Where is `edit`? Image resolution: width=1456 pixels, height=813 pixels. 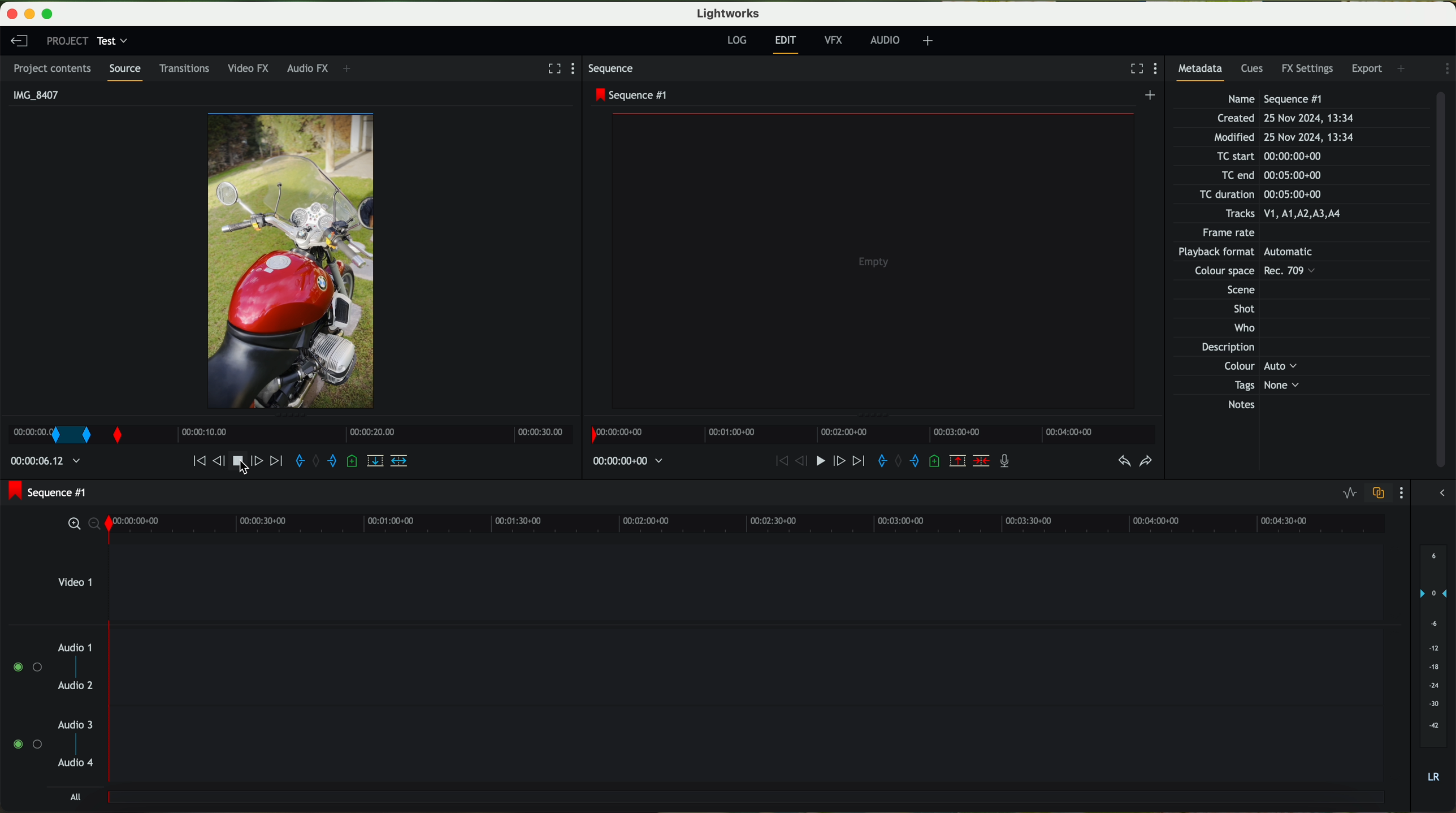
edit is located at coordinates (787, 44).